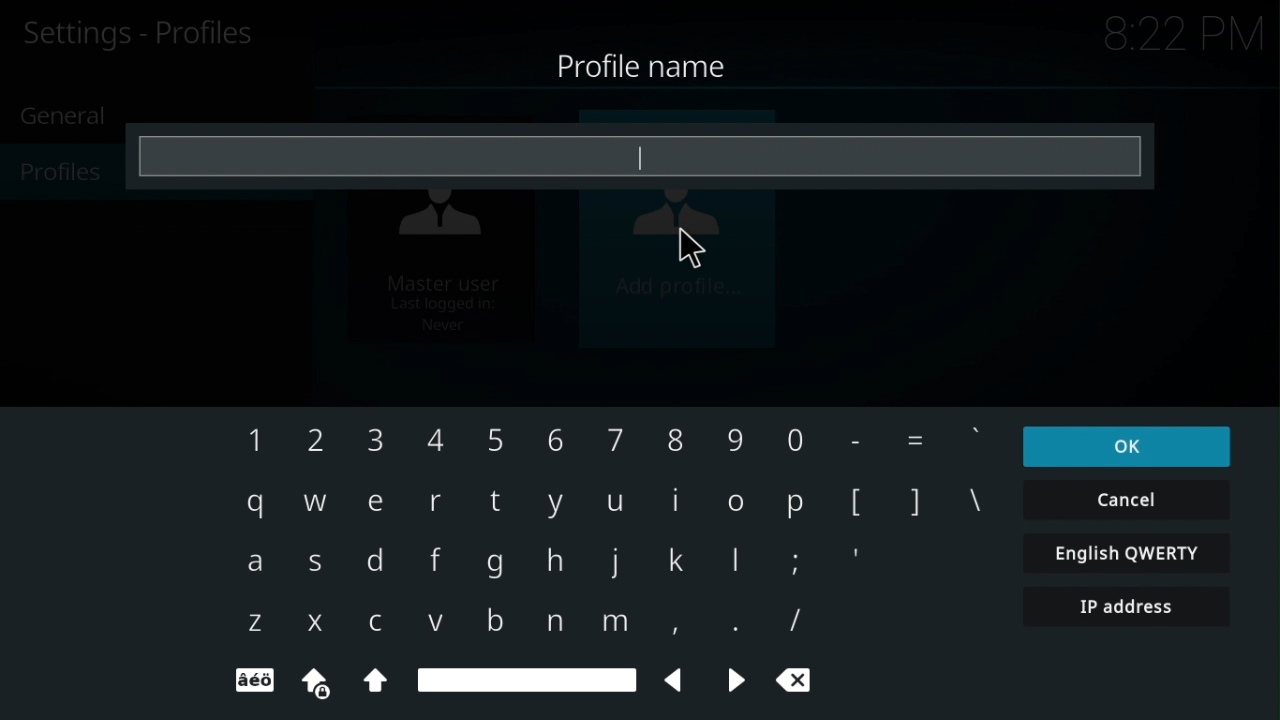 The height and width of the screenshot is (720, 1280). Describe the element at coordinates (1129, 607) in the screenshot. I see `IP address` at that location.